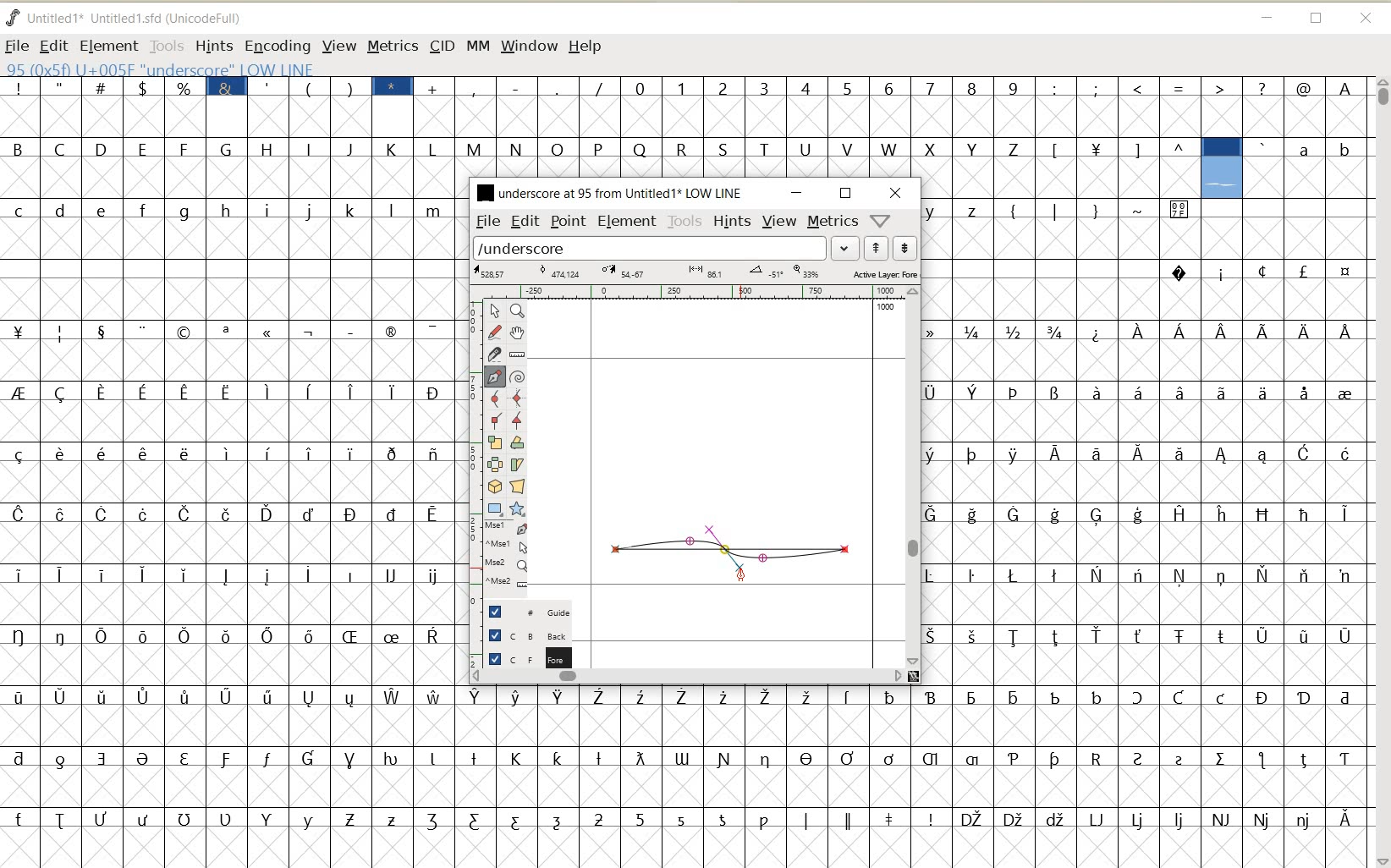 The image size is (1391, 868). I want to click on change whether spiro is active or not, so click(517, 375).